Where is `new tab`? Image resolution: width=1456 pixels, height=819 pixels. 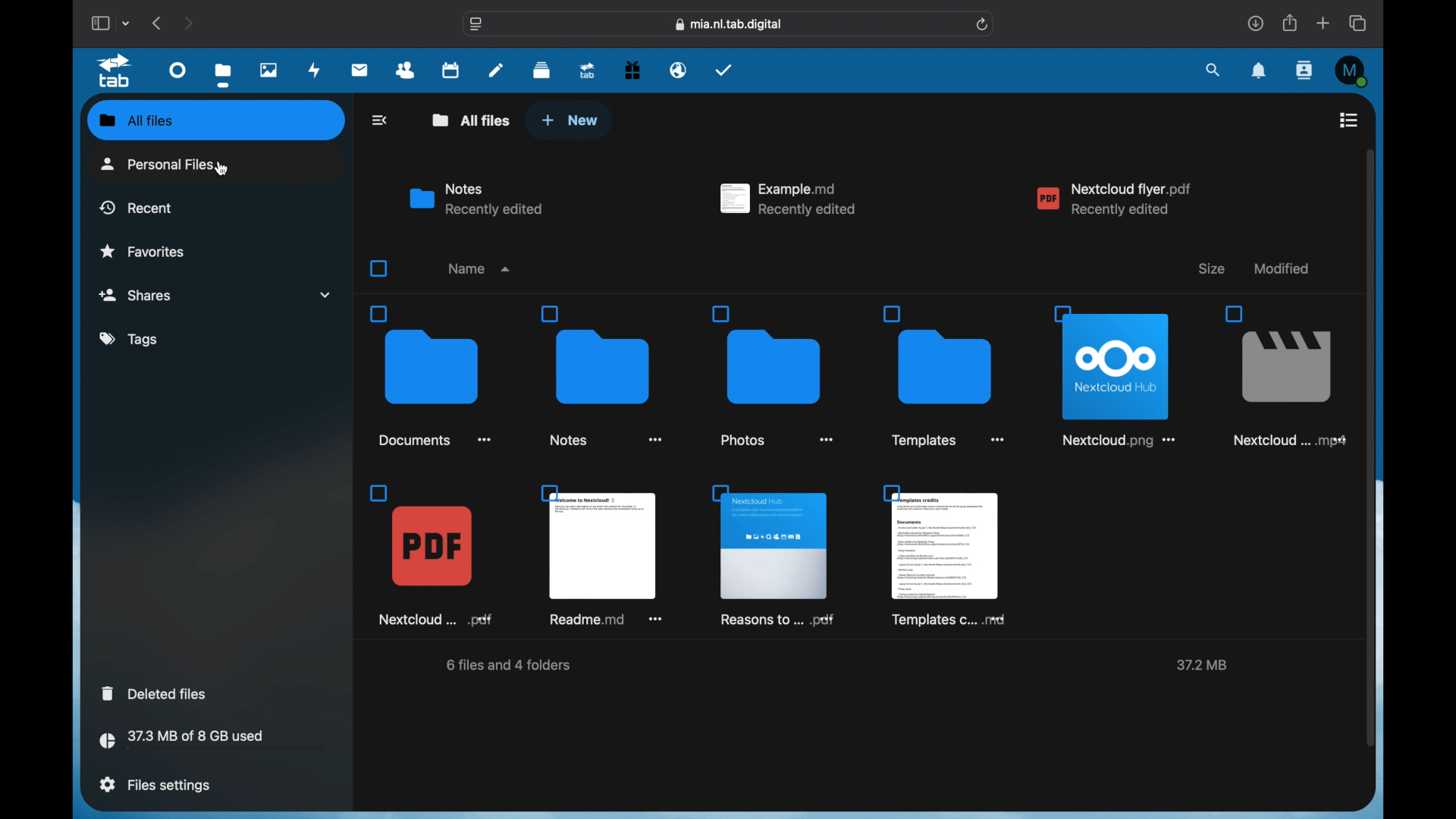 new tab is located at coordinates (1323, 23).